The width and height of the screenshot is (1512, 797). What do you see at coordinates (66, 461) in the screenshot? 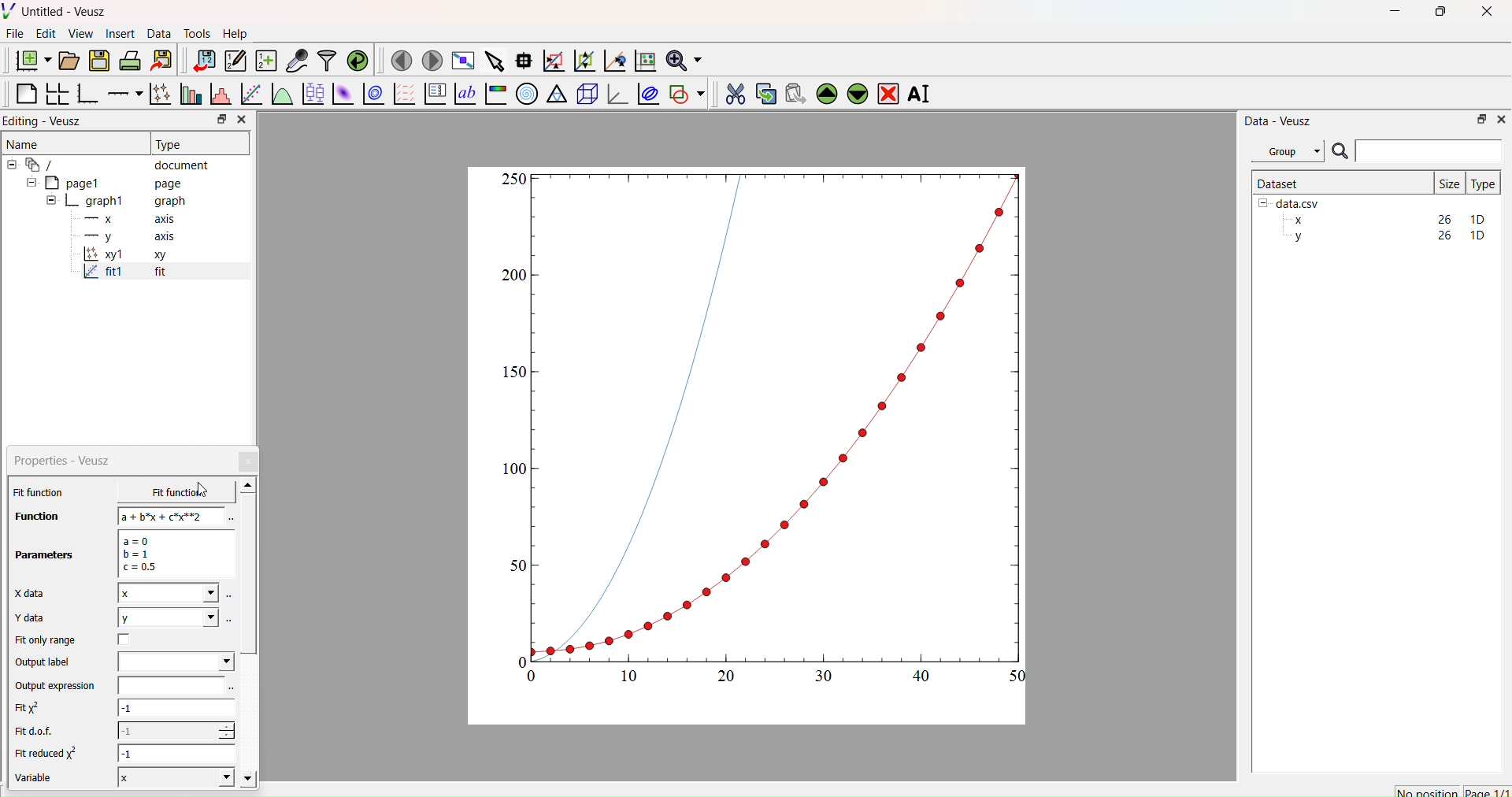
I see `Properties - Veusz` at bounding box center [66, 461].